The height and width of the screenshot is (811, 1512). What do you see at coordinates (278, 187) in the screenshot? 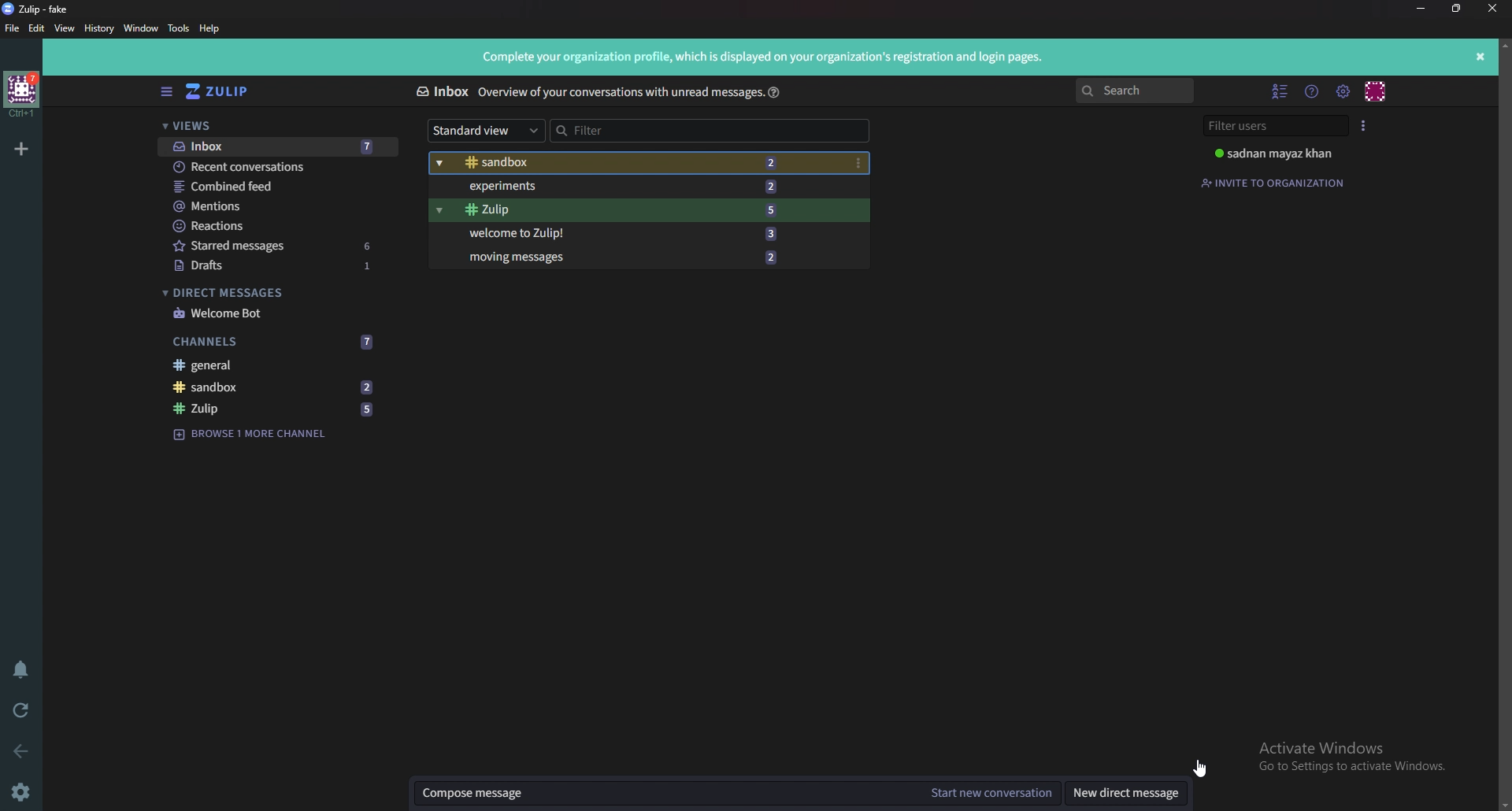
I see `Combined feed` at bounding box center [278, 187].